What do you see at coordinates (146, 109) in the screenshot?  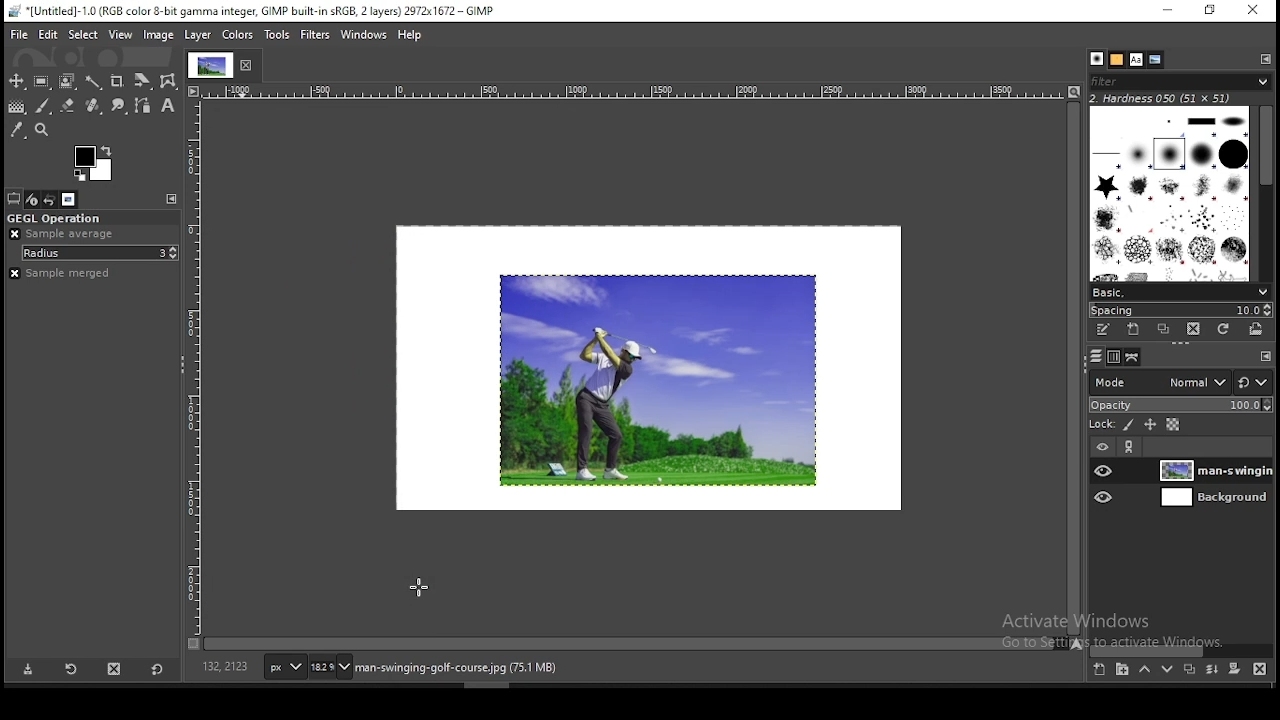 I see `paths tool` at bounding box center [146, 109].